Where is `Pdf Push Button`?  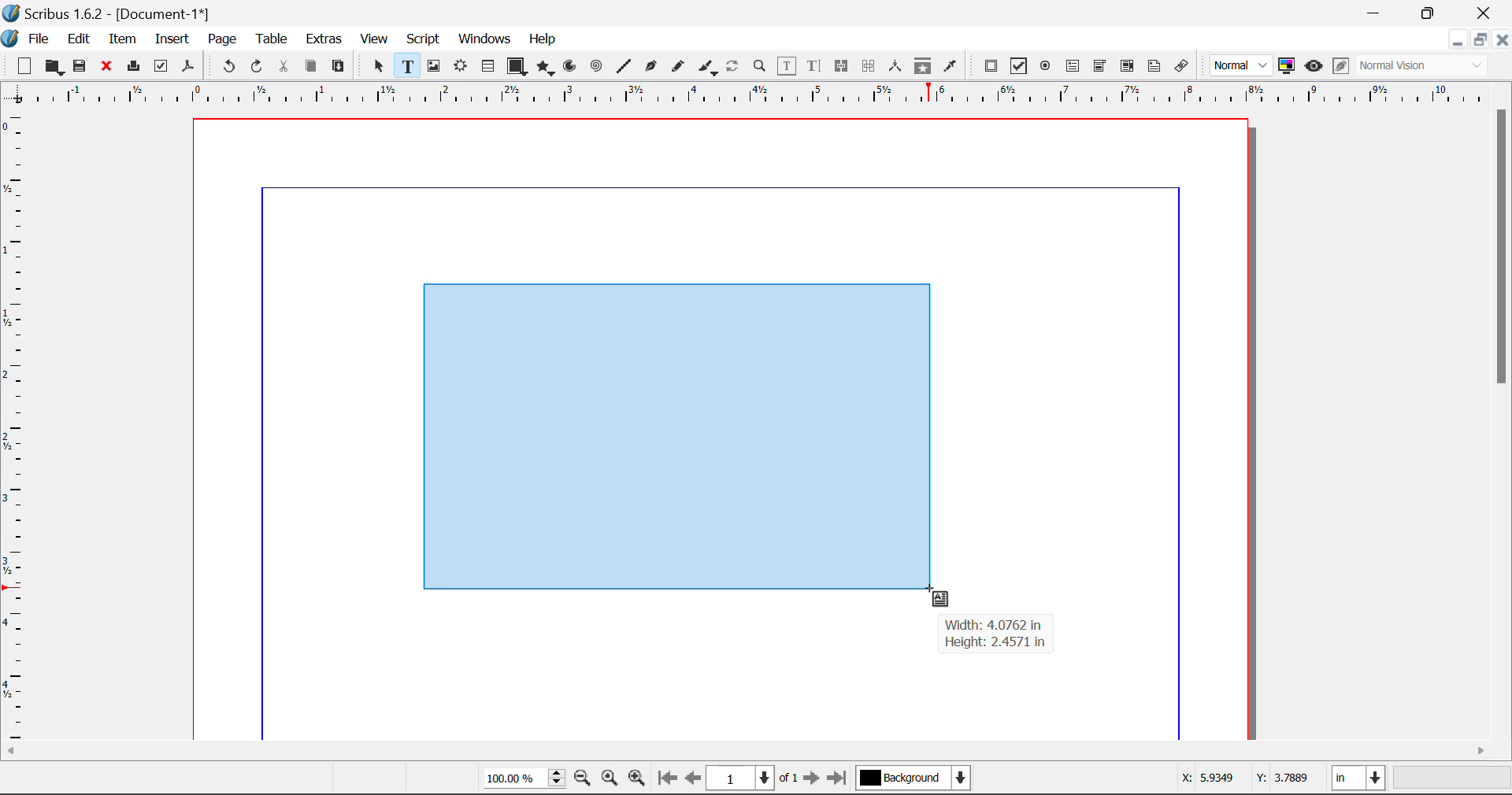 Pdf Push Button is located at coordinates (991, 65).